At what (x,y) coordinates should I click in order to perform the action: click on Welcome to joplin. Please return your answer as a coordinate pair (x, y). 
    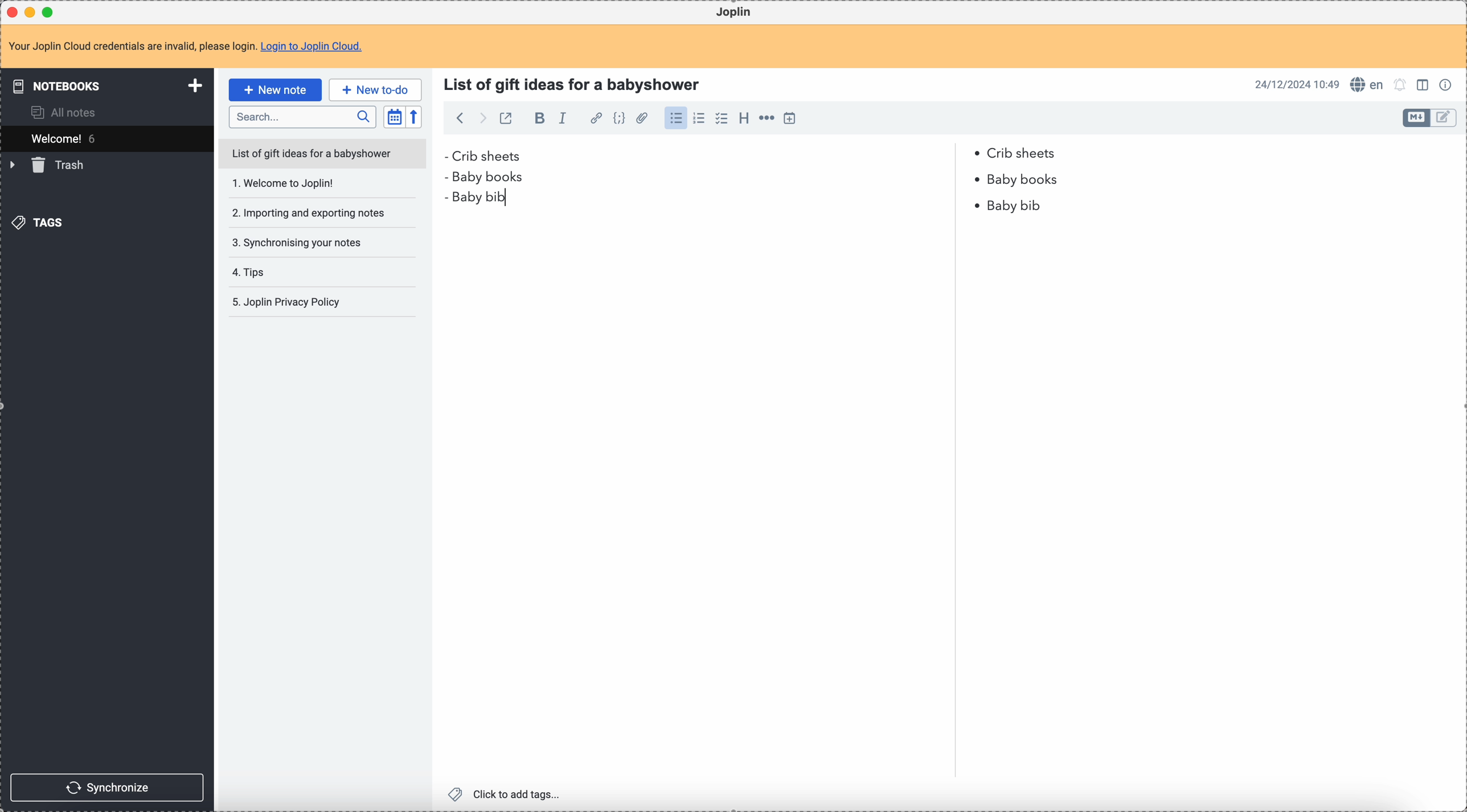
    Looking at the image, I should click on (310, 186).